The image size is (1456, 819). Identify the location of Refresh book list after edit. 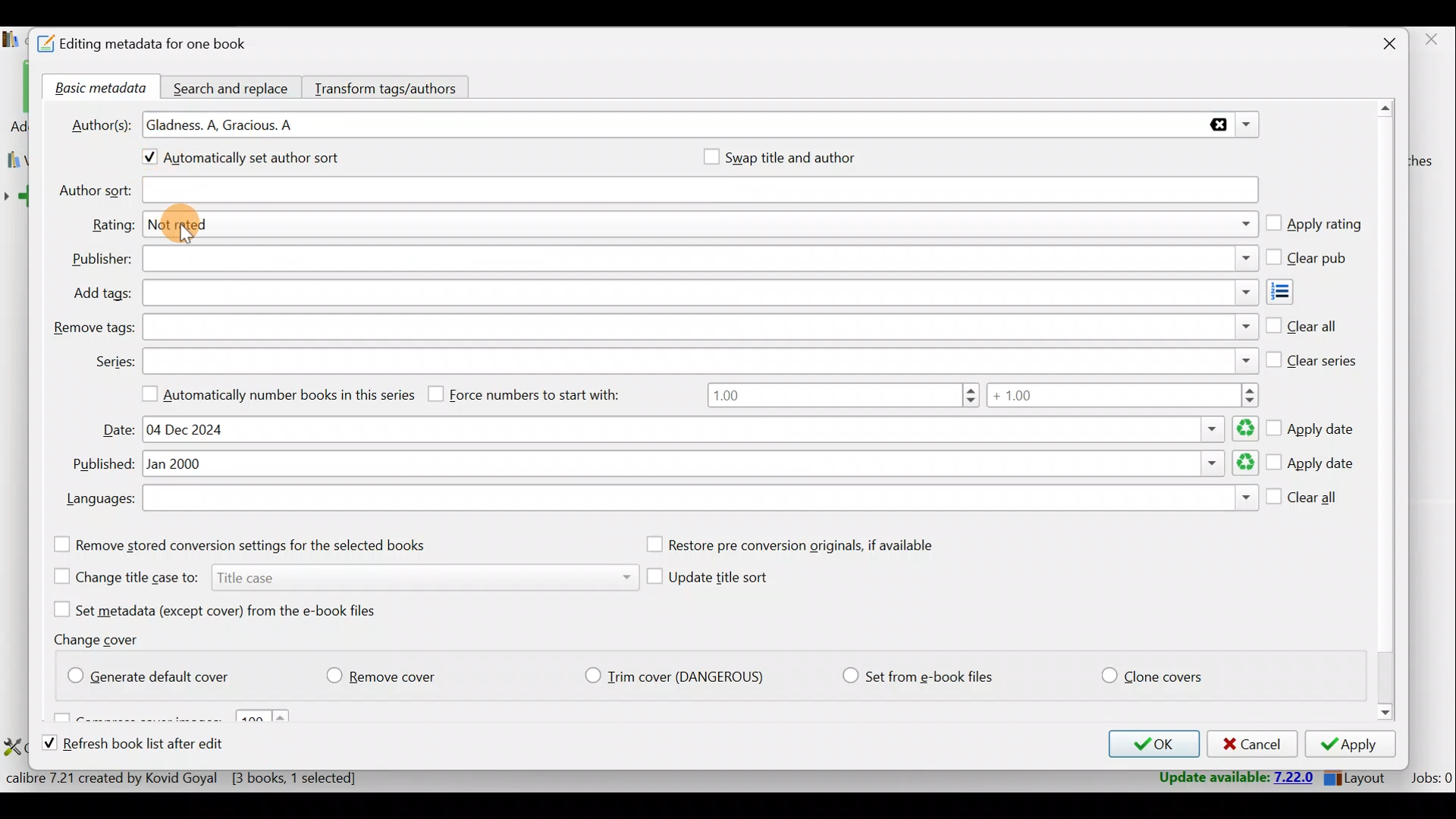
(147, 745).